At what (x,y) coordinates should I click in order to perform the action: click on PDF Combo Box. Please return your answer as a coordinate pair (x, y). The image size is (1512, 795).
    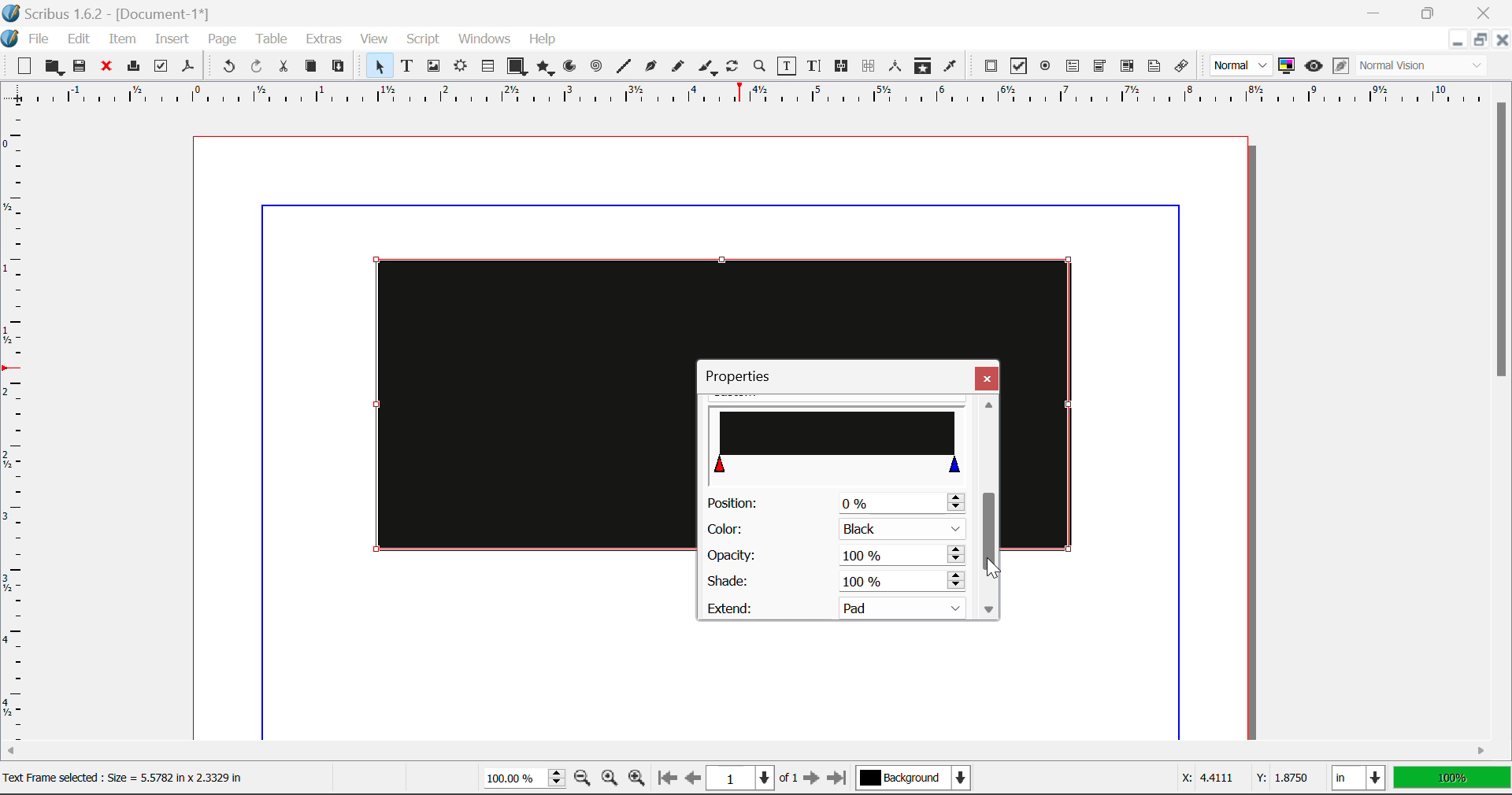
    Looking at the image, I should click on (1099, 68).